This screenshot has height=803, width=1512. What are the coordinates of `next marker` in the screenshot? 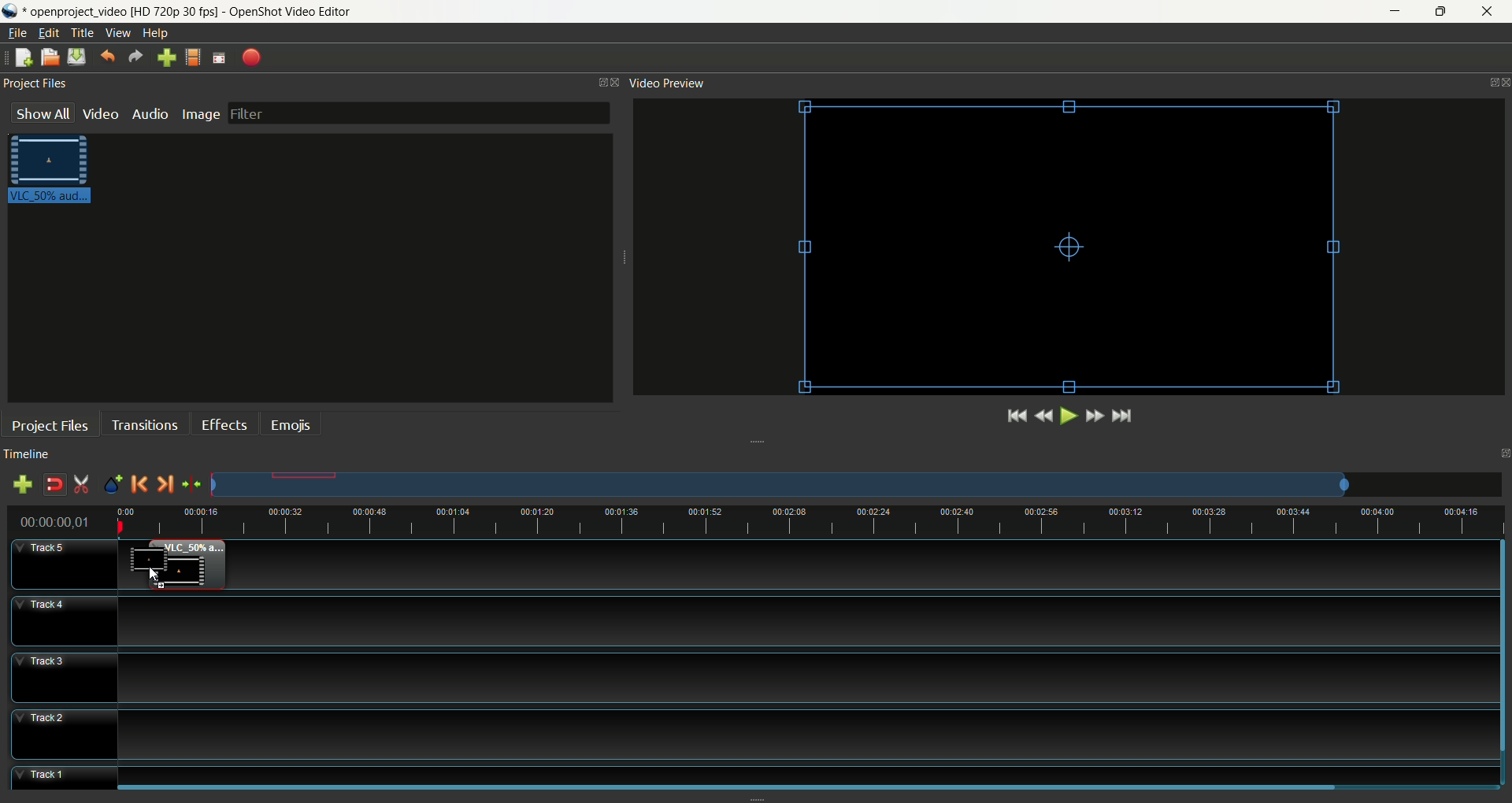 It's located at (165, 484).